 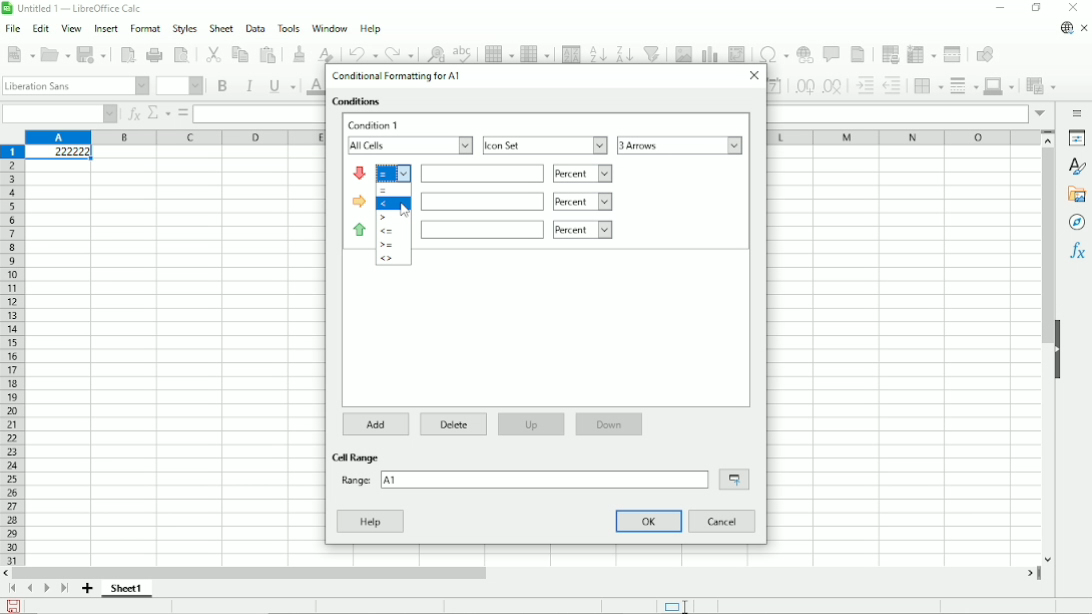 What do you see at coordinates (94, 53) in the screenshot?
I see `Save` at bounding box center [94, 53].